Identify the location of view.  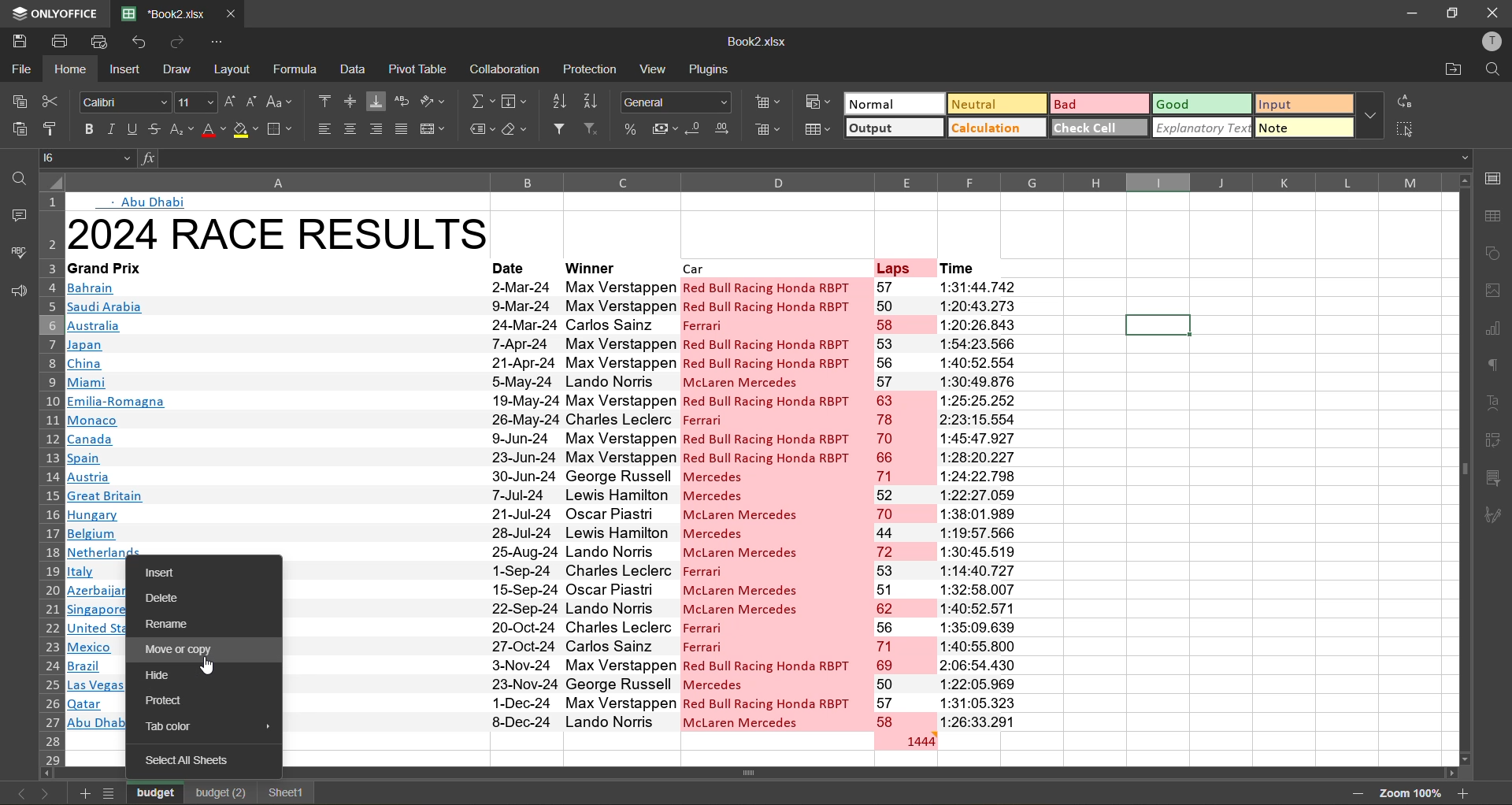
(657, 69).